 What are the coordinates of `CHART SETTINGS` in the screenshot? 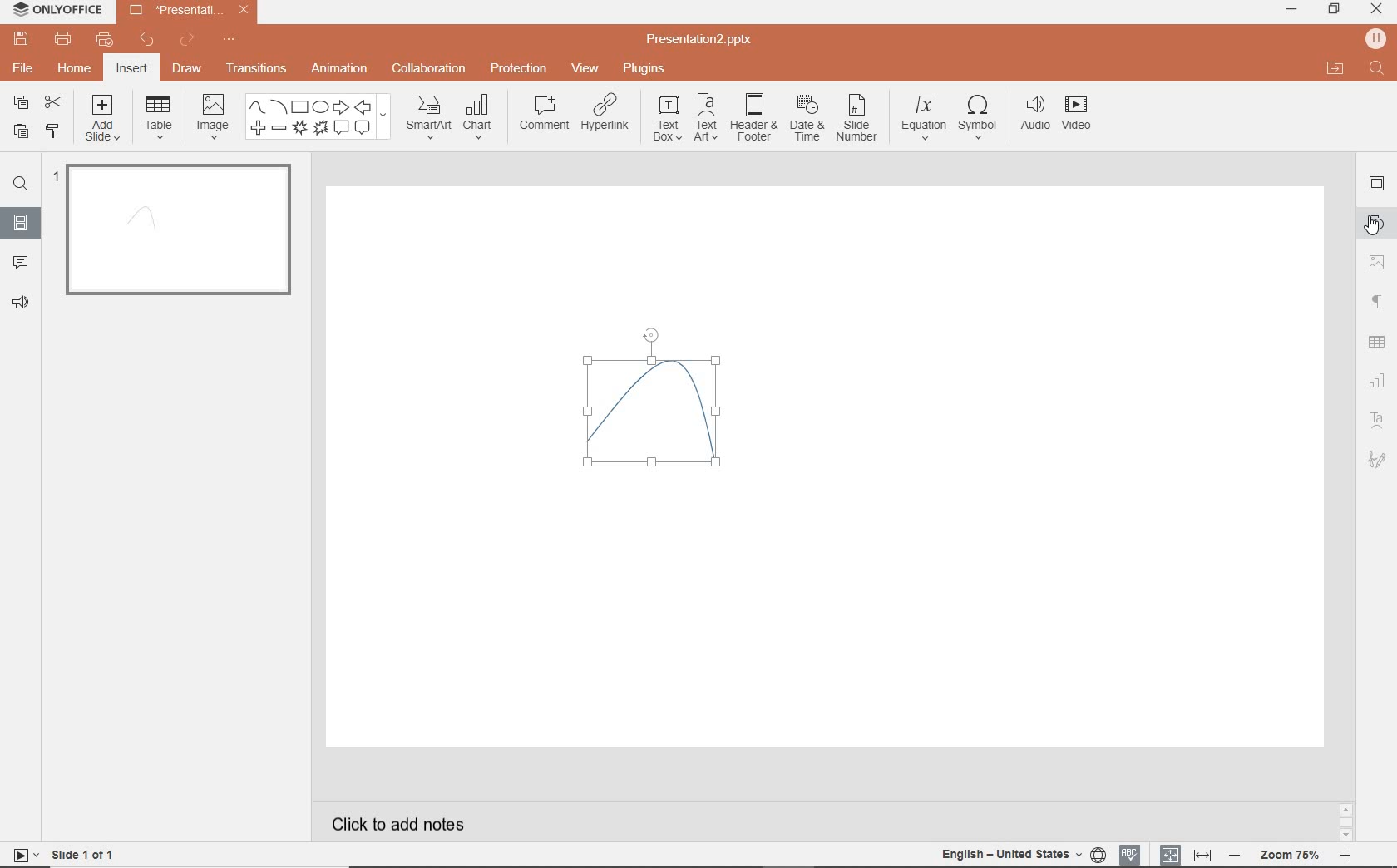 It's located at (1380, 379).